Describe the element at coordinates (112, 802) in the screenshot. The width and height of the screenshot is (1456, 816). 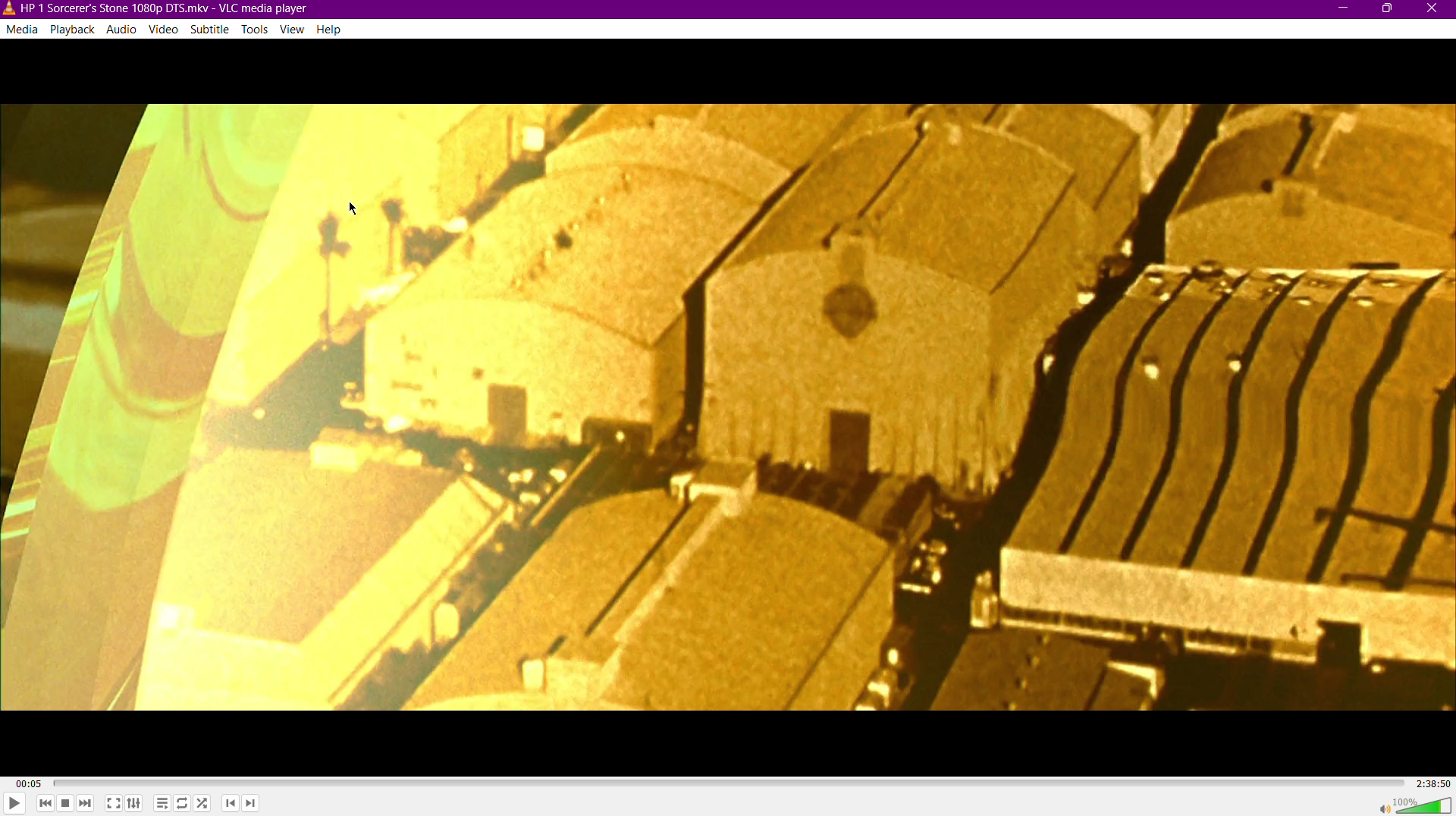
I see `Fullscreen` at that location.